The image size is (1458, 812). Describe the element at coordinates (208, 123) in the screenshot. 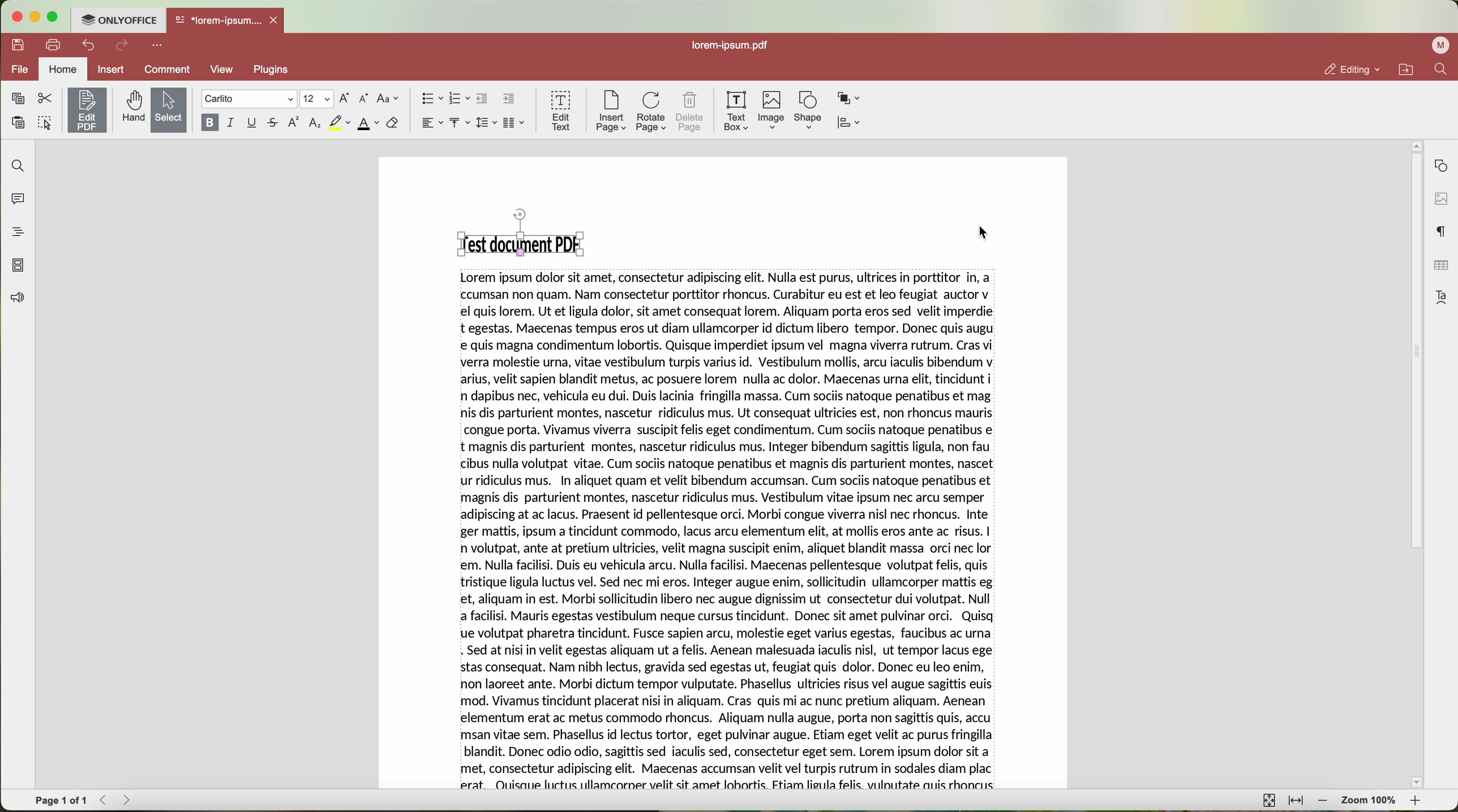

I see `bold` at that location.